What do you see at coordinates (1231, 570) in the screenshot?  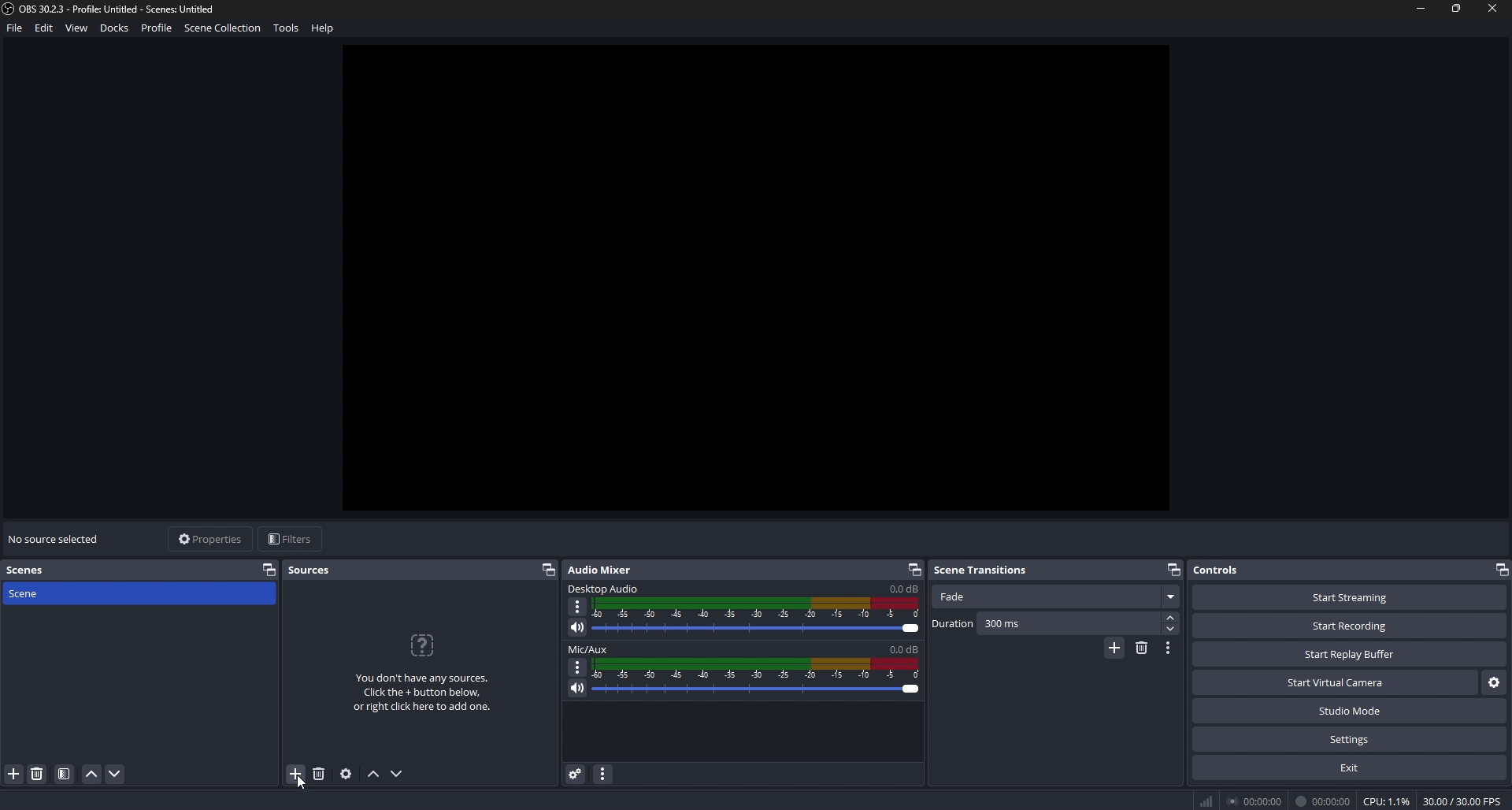 I see `controls` at bounding box center [1231, 570].